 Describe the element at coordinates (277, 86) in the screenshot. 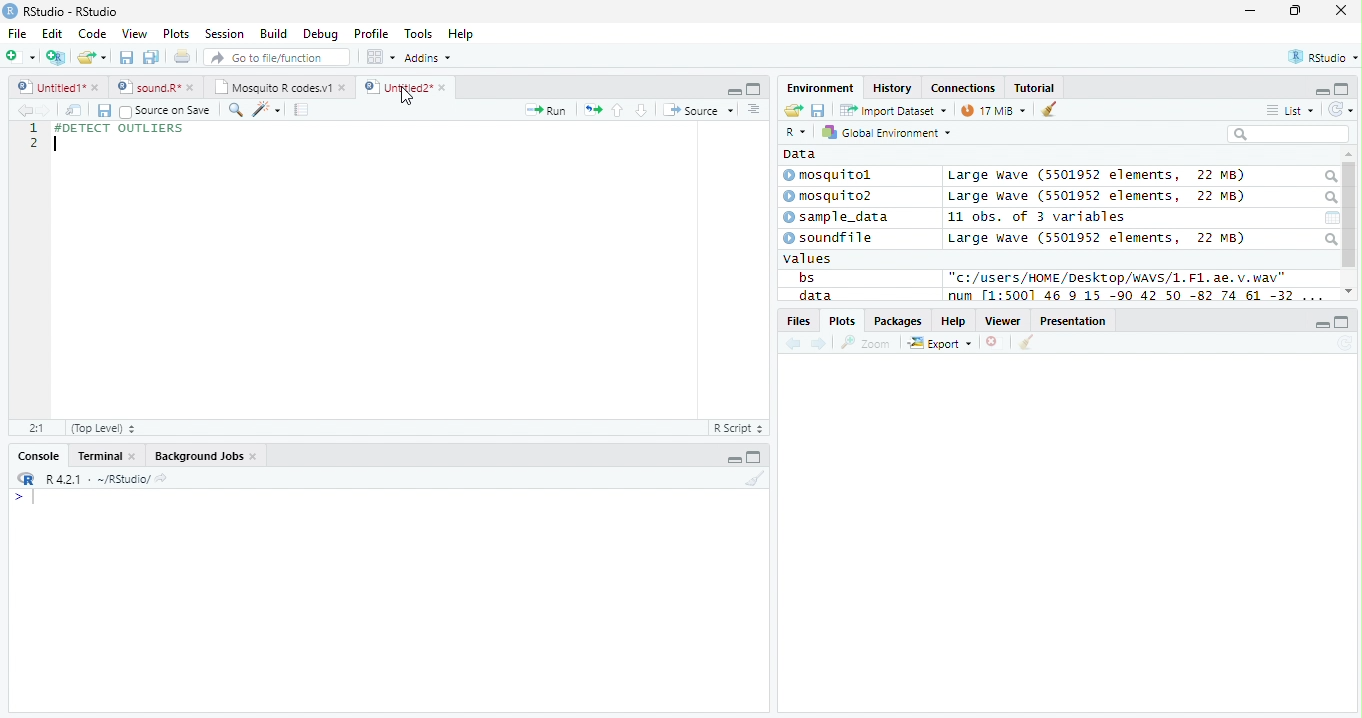

I see `Mosquito R codes.v1` at that location.